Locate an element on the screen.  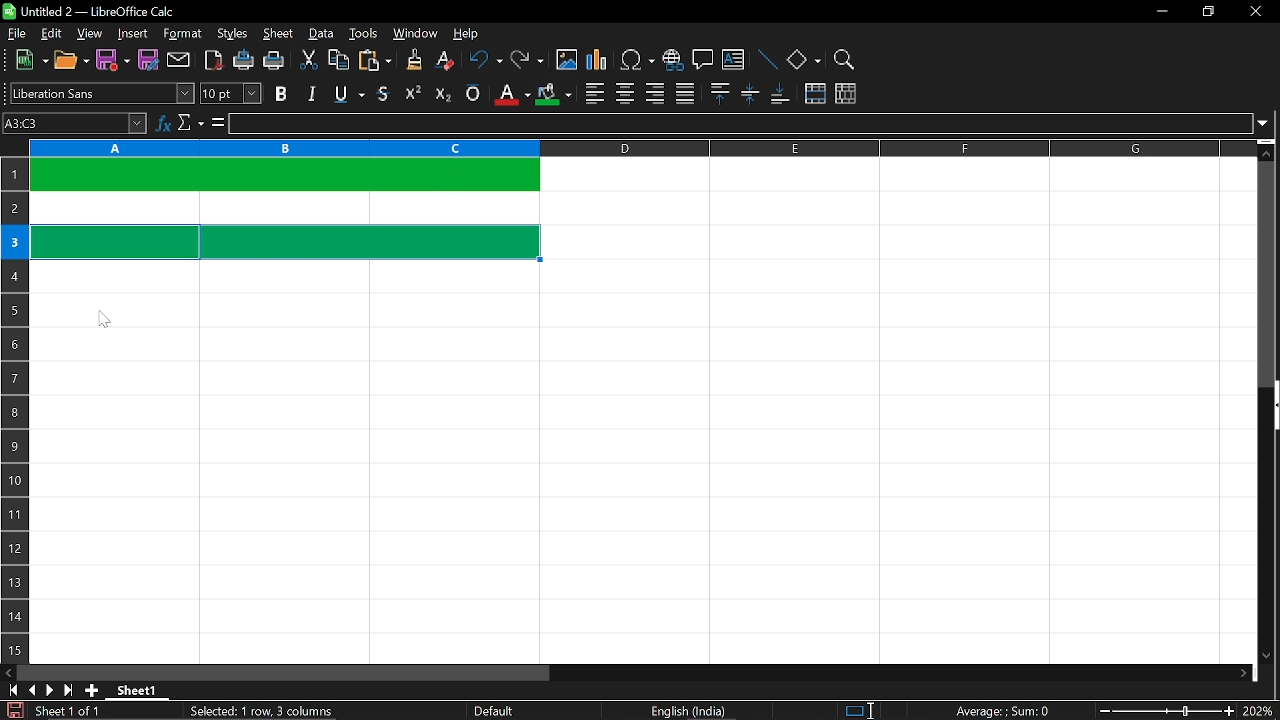
insert image is located at coordinates (566, 61).